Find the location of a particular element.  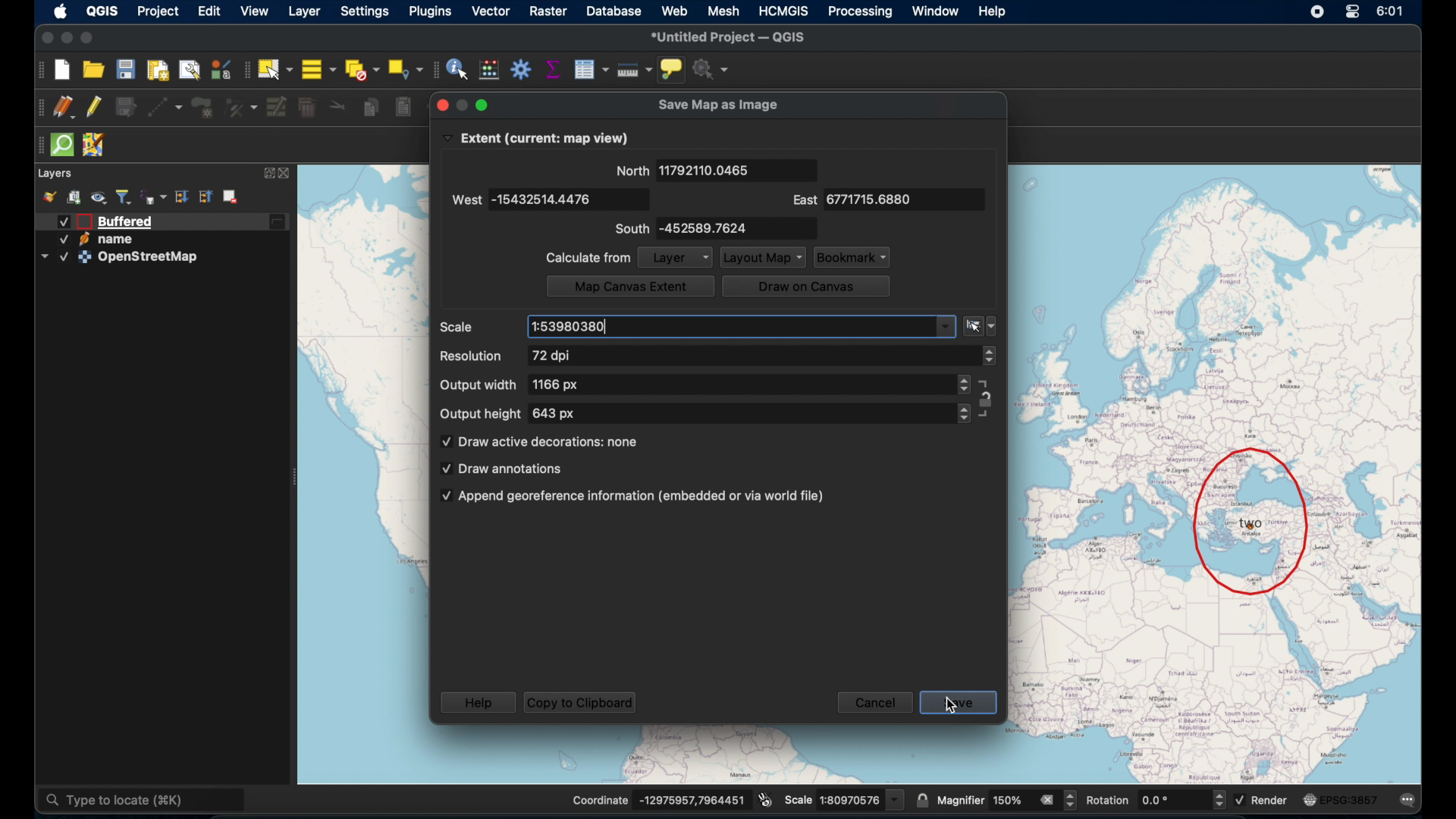

resolution is located at coordinates (469, 356).